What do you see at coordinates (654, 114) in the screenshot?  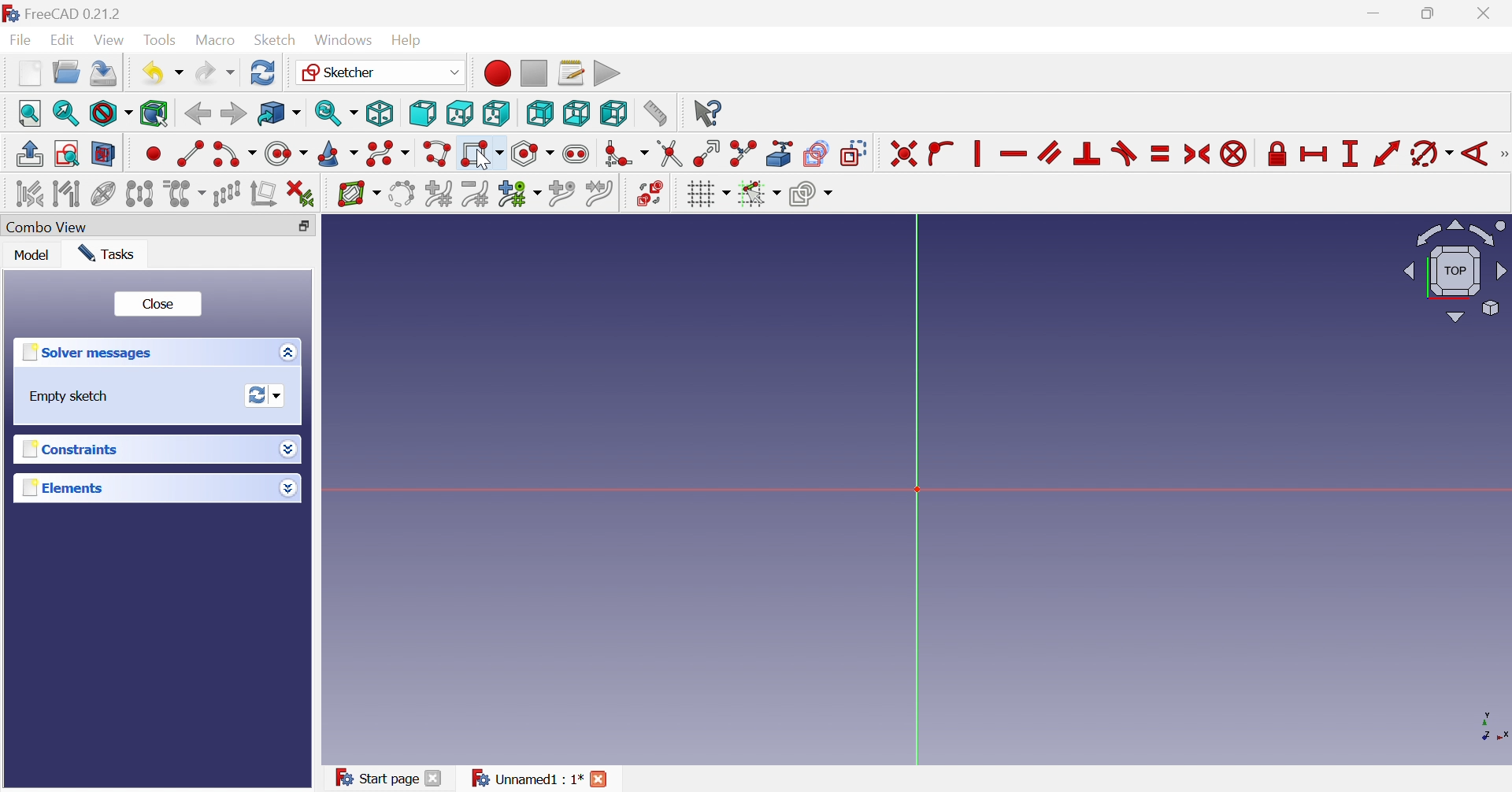 I see `Measure distance` at bounding box center [654, 114].